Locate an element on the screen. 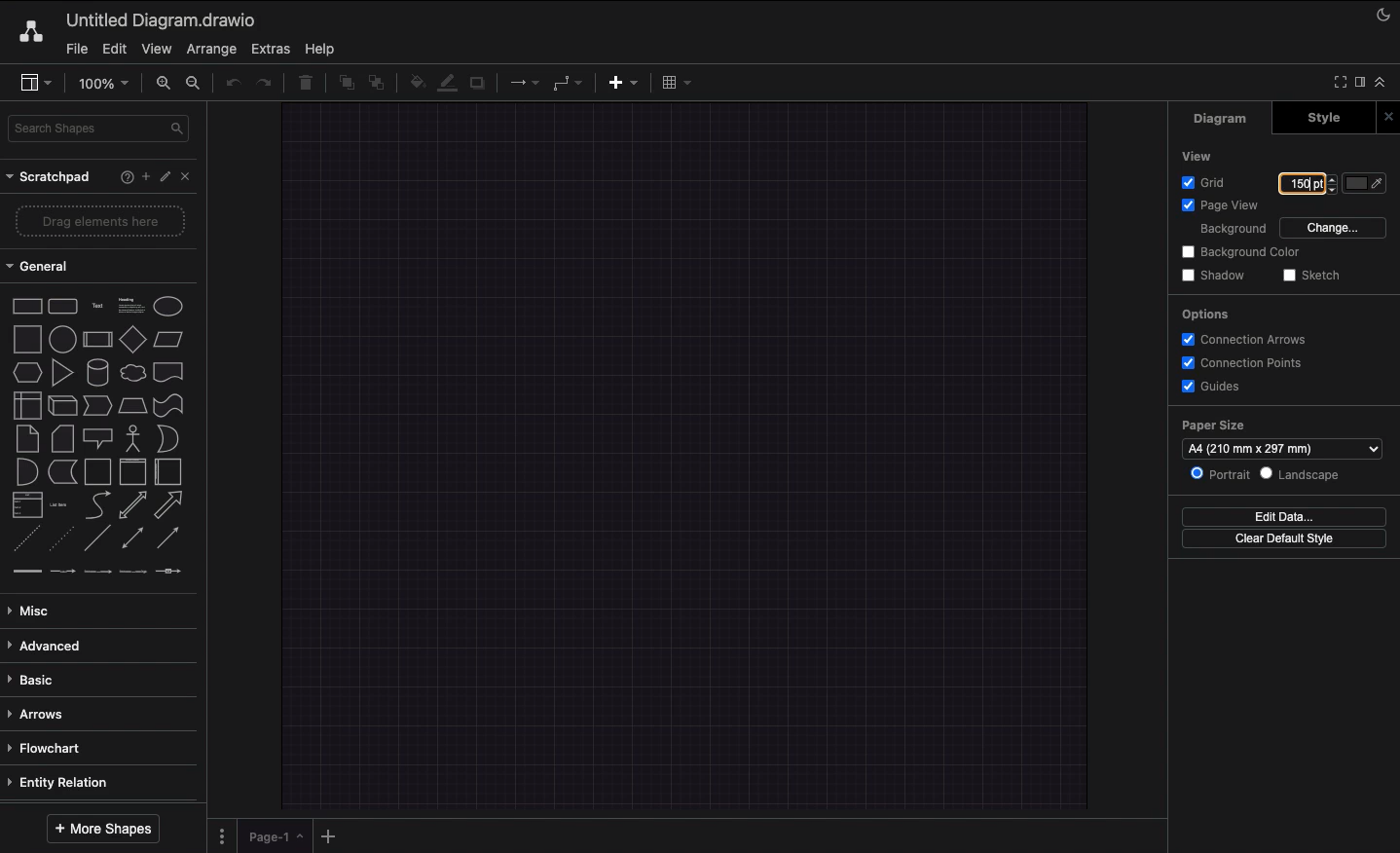 The image size is (1400, 853). Guides is located at coordinates (1215, 387).